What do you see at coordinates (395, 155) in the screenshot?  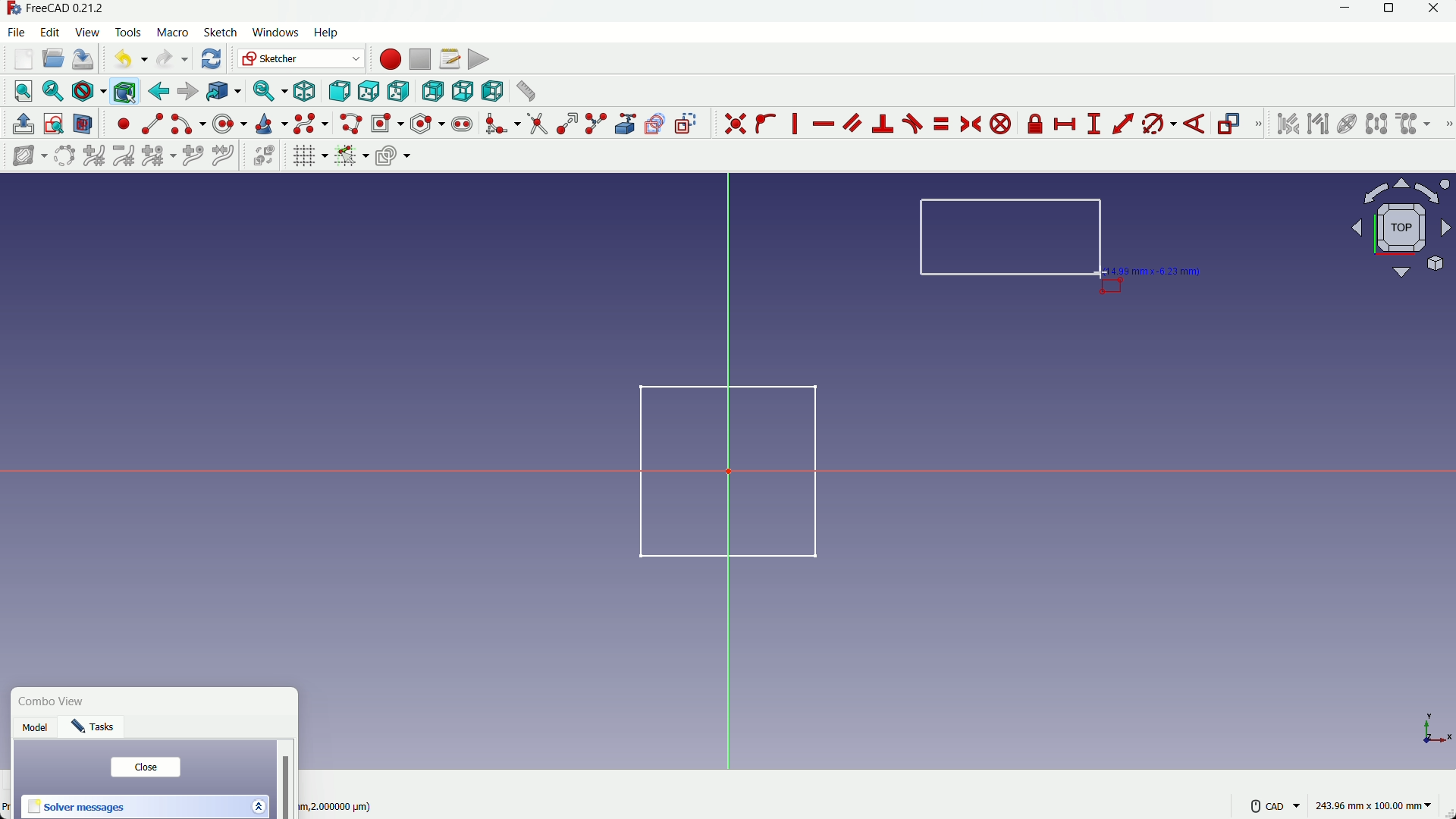 I see `configure rendering order` at bounding box center [395, 155].